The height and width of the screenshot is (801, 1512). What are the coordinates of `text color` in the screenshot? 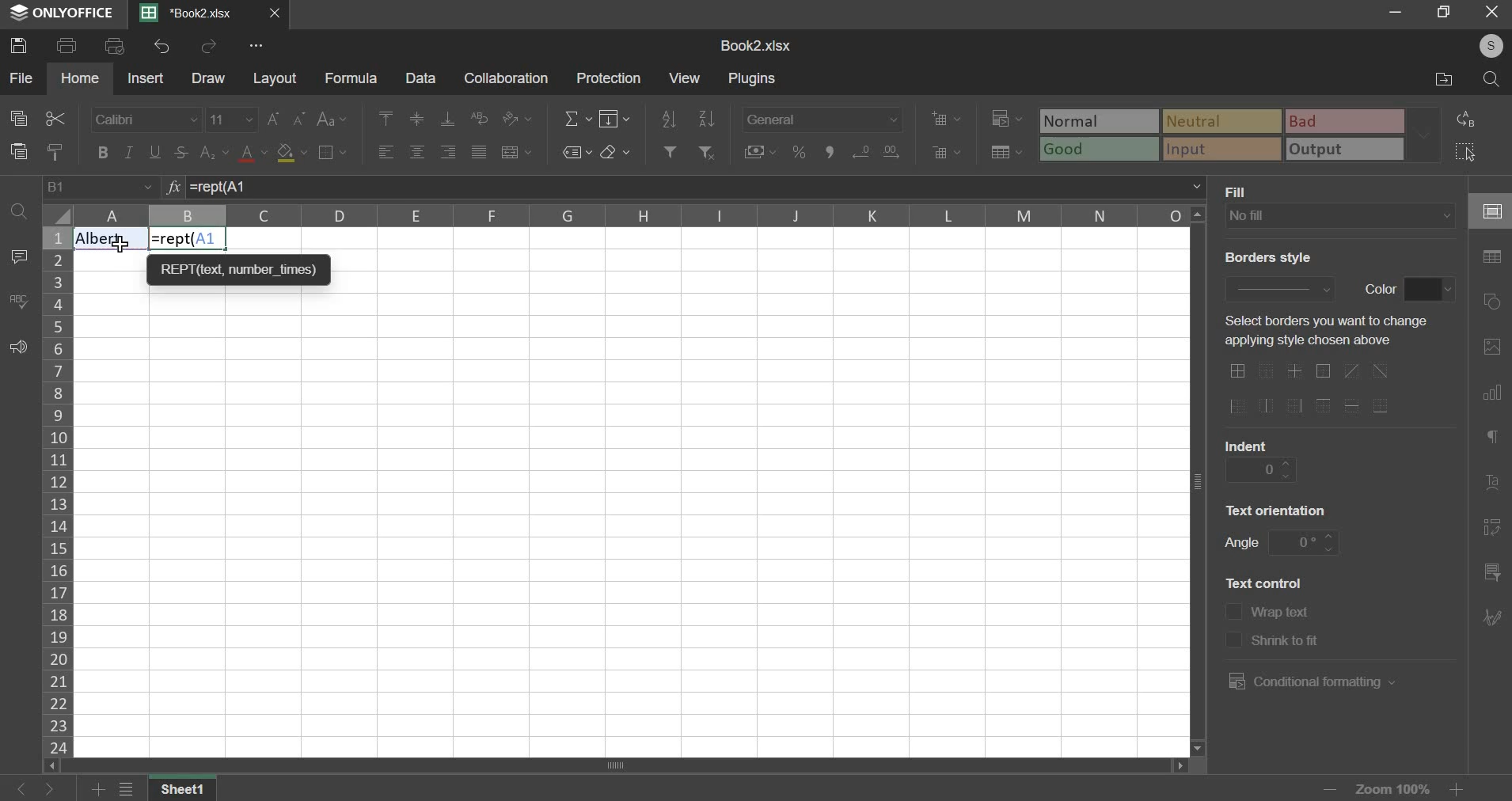 It's located at (253, 154).